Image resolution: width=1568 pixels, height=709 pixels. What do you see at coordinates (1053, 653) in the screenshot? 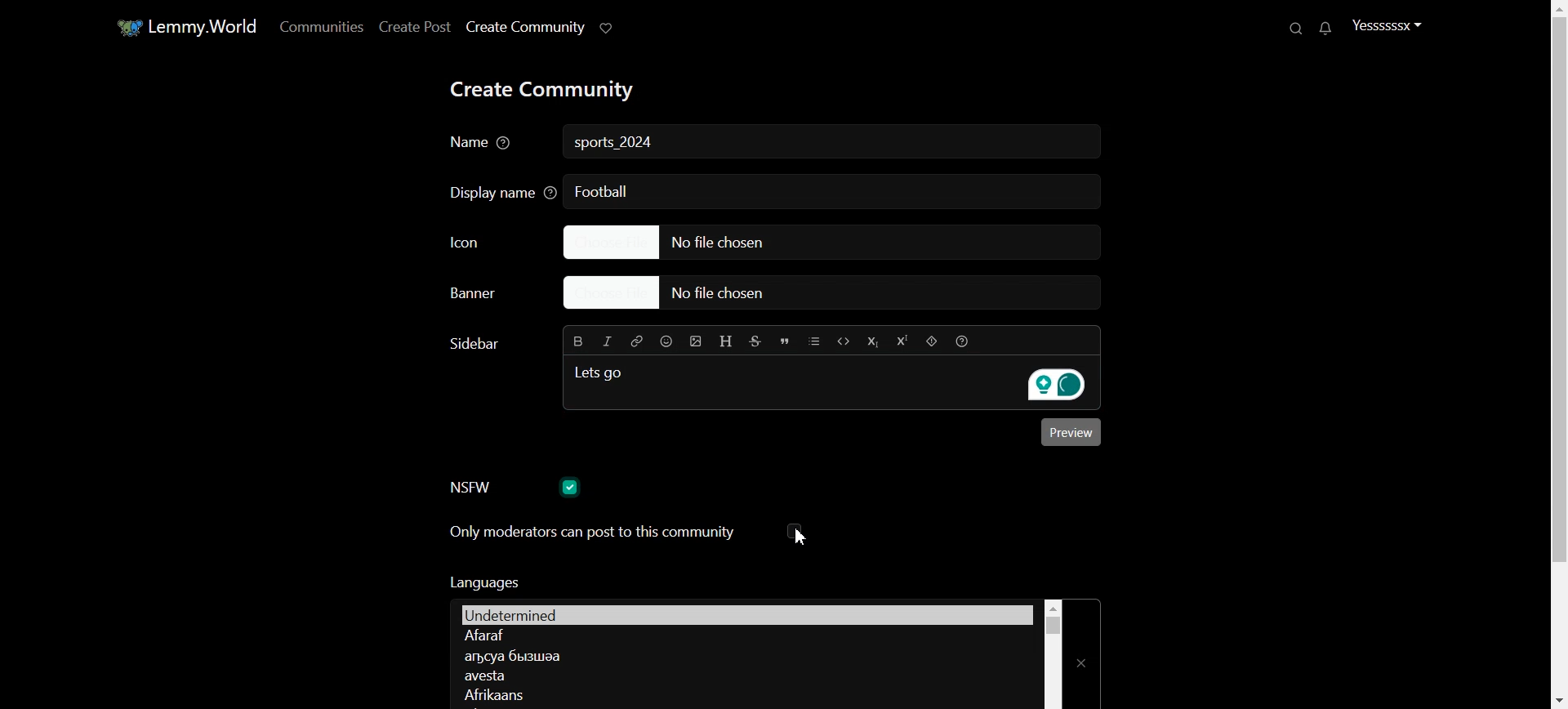
I see `Vertical scroll bar` at bounding box center [1053, 653].